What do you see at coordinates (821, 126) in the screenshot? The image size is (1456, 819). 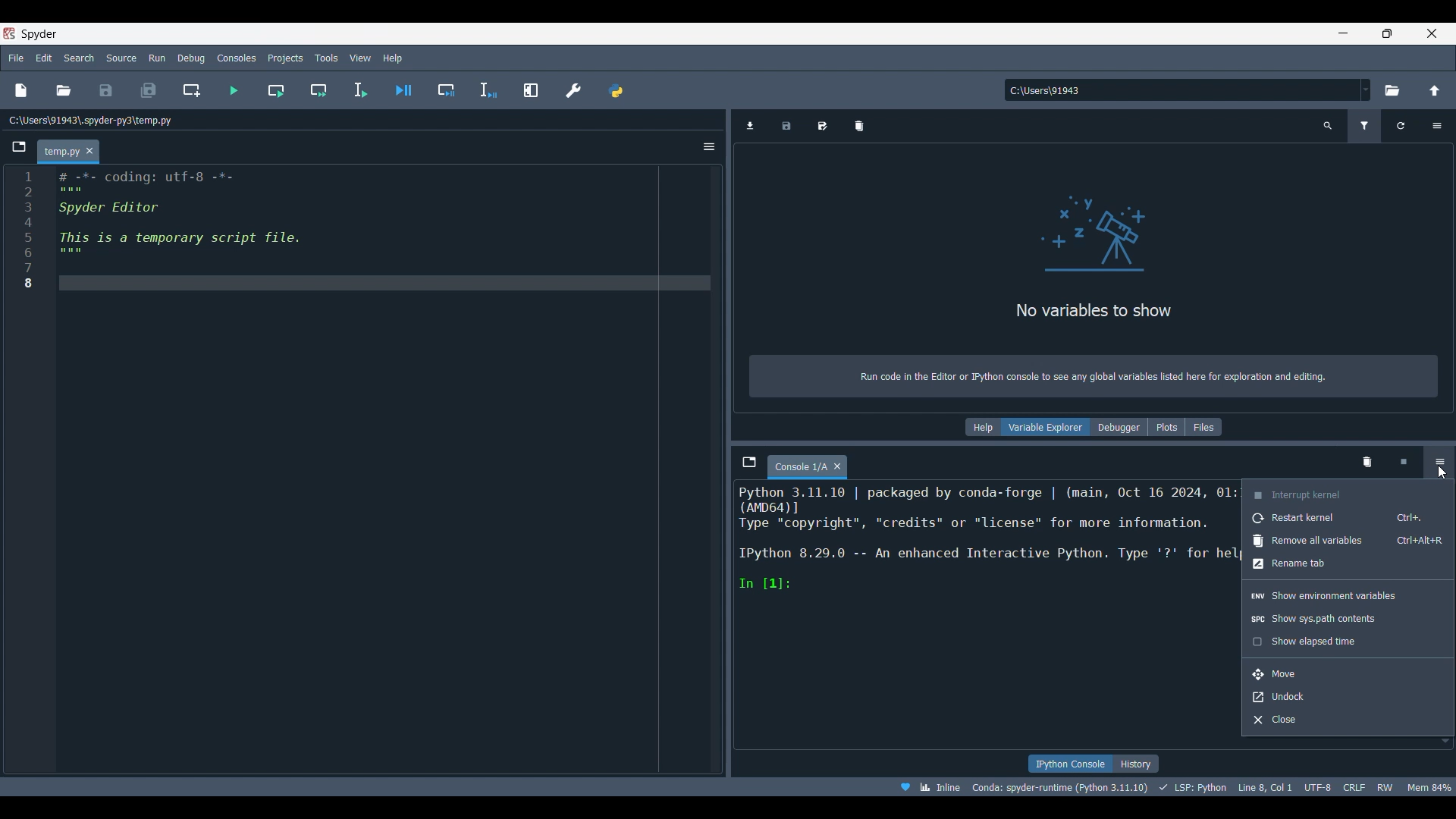 I see `Save data as` at bounding box center [821, 126].